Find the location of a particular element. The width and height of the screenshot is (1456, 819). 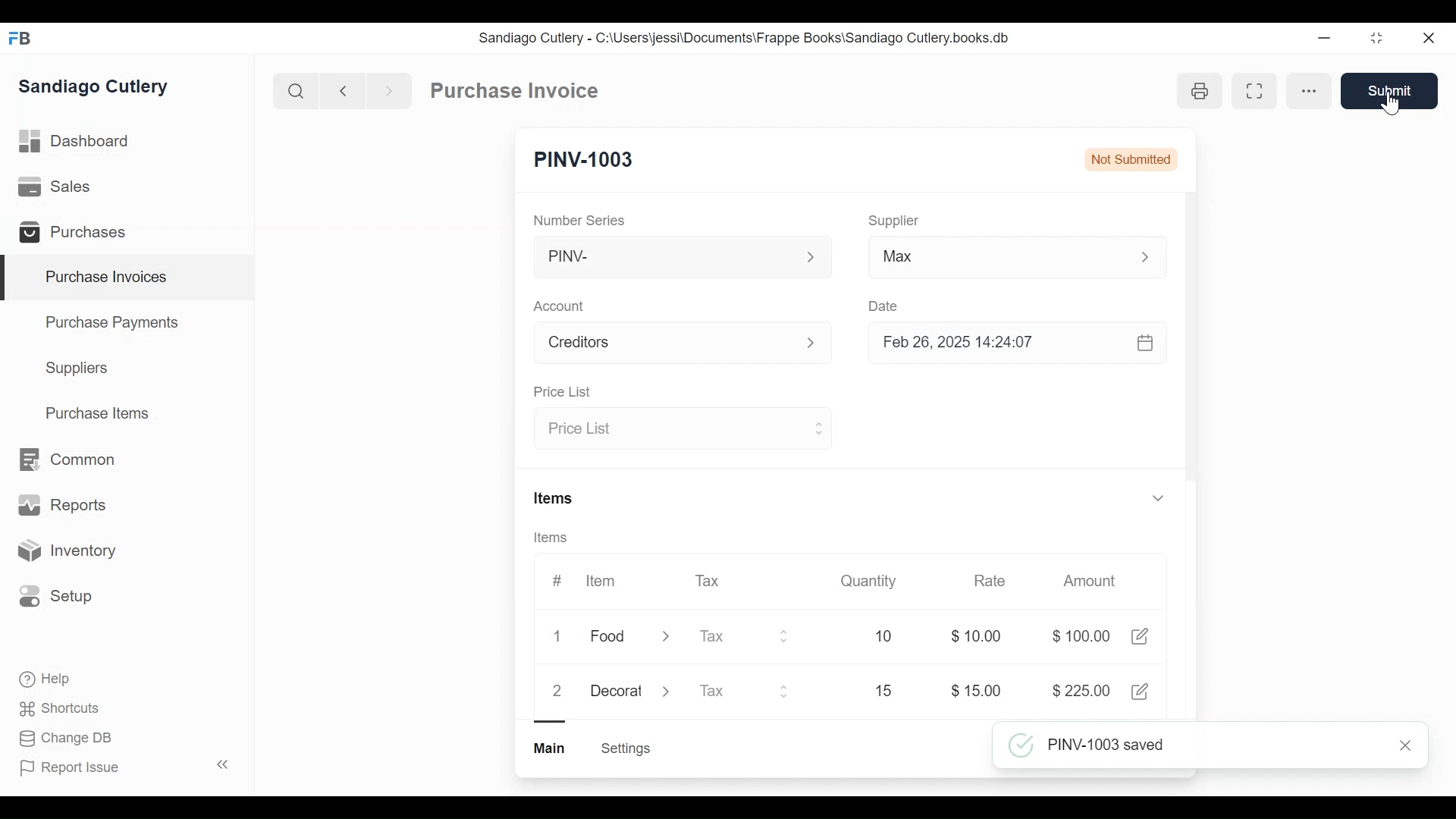

PINV-1003 saved is located at coordinates (1191, 746).